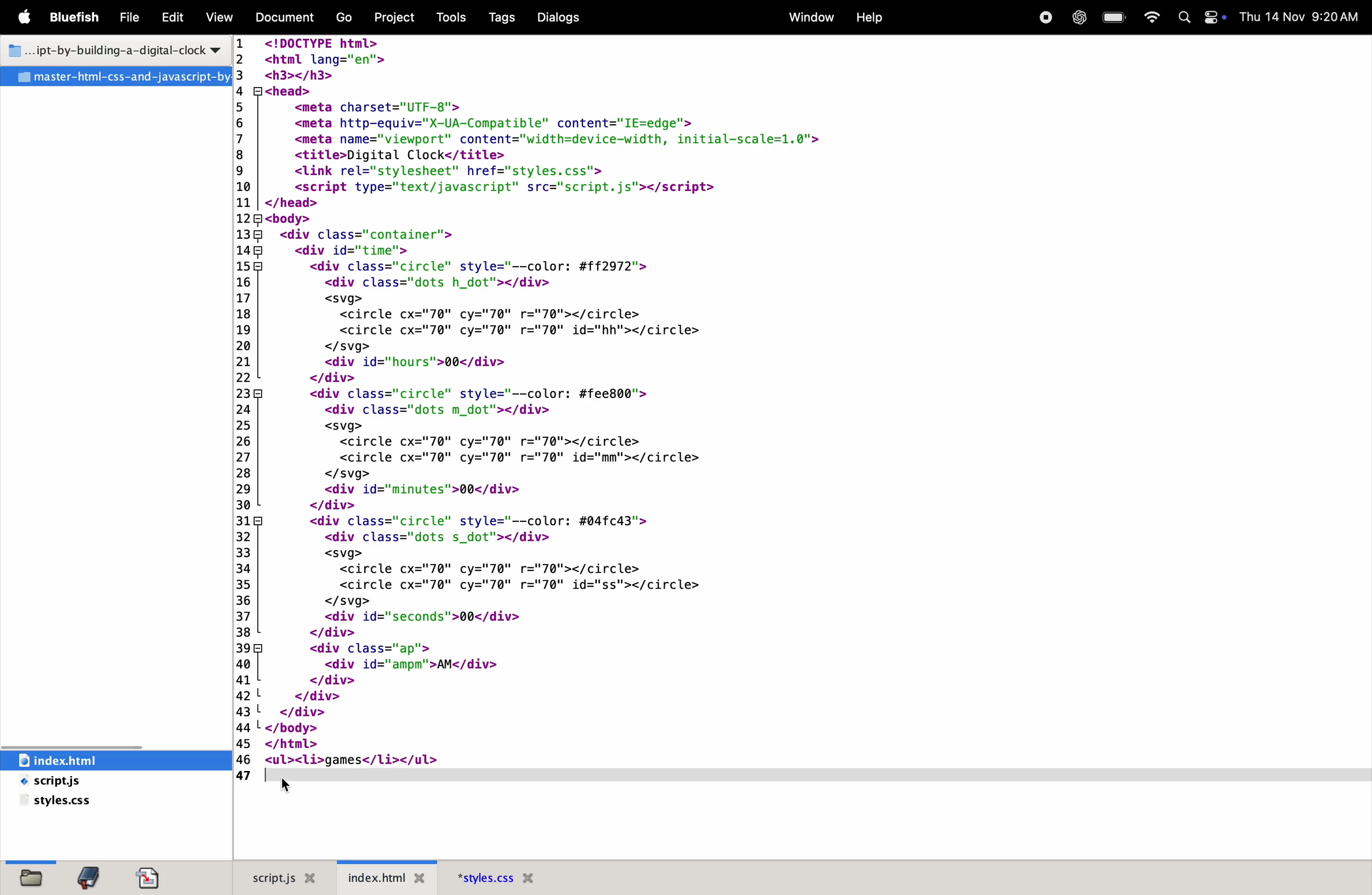 Image resolution: width=1372 pixels, height=895 pixels. What do you see at coordinates (869, 17) in the screenshot?
I see `help` at bounding box center [869, 17].